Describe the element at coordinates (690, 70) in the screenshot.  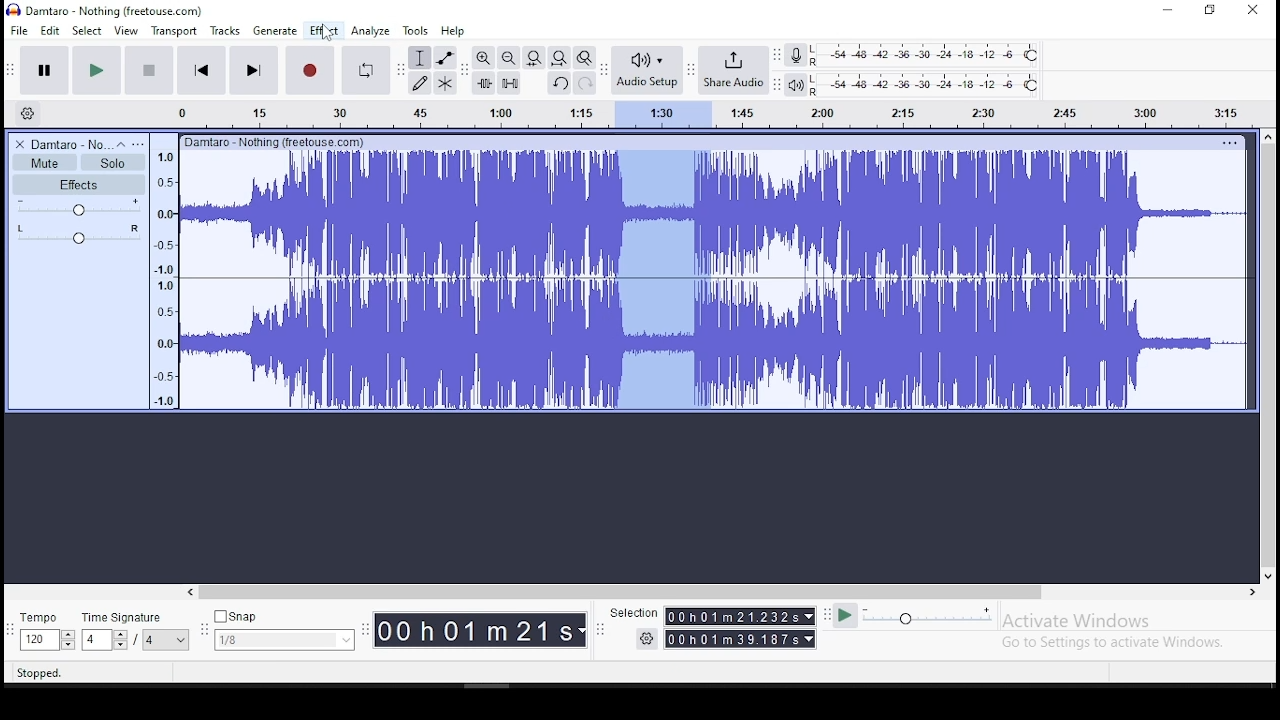
I see `` at that location.